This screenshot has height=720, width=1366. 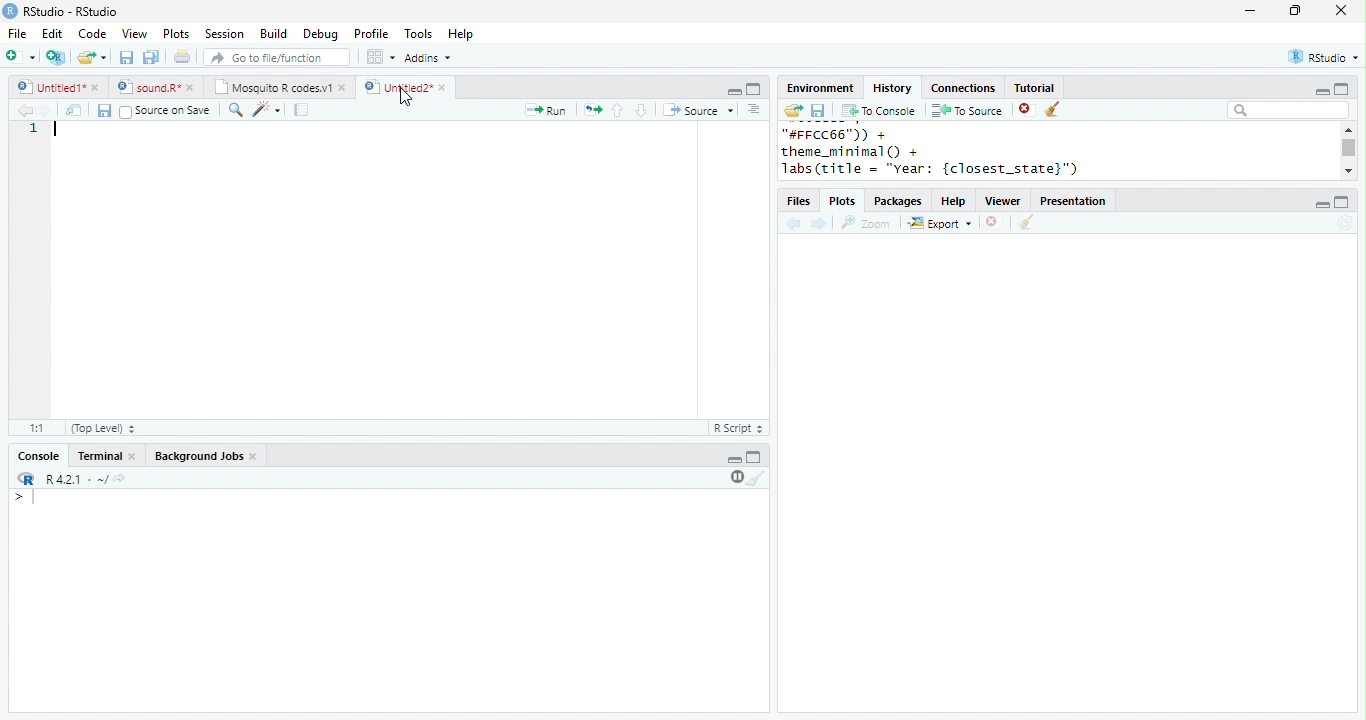 I want to click on search, so click(x=233, y=110).